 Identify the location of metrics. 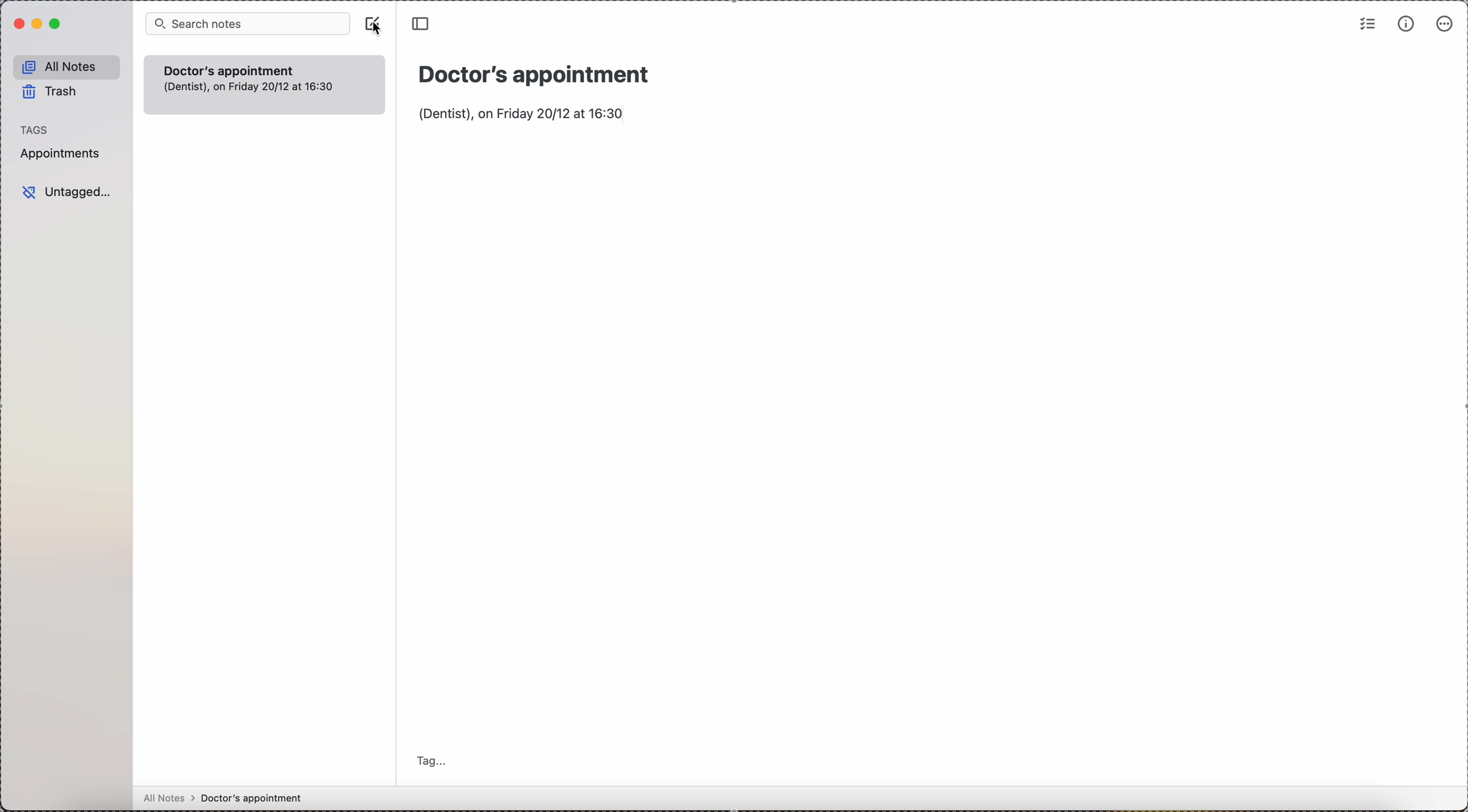
(1406, 24).